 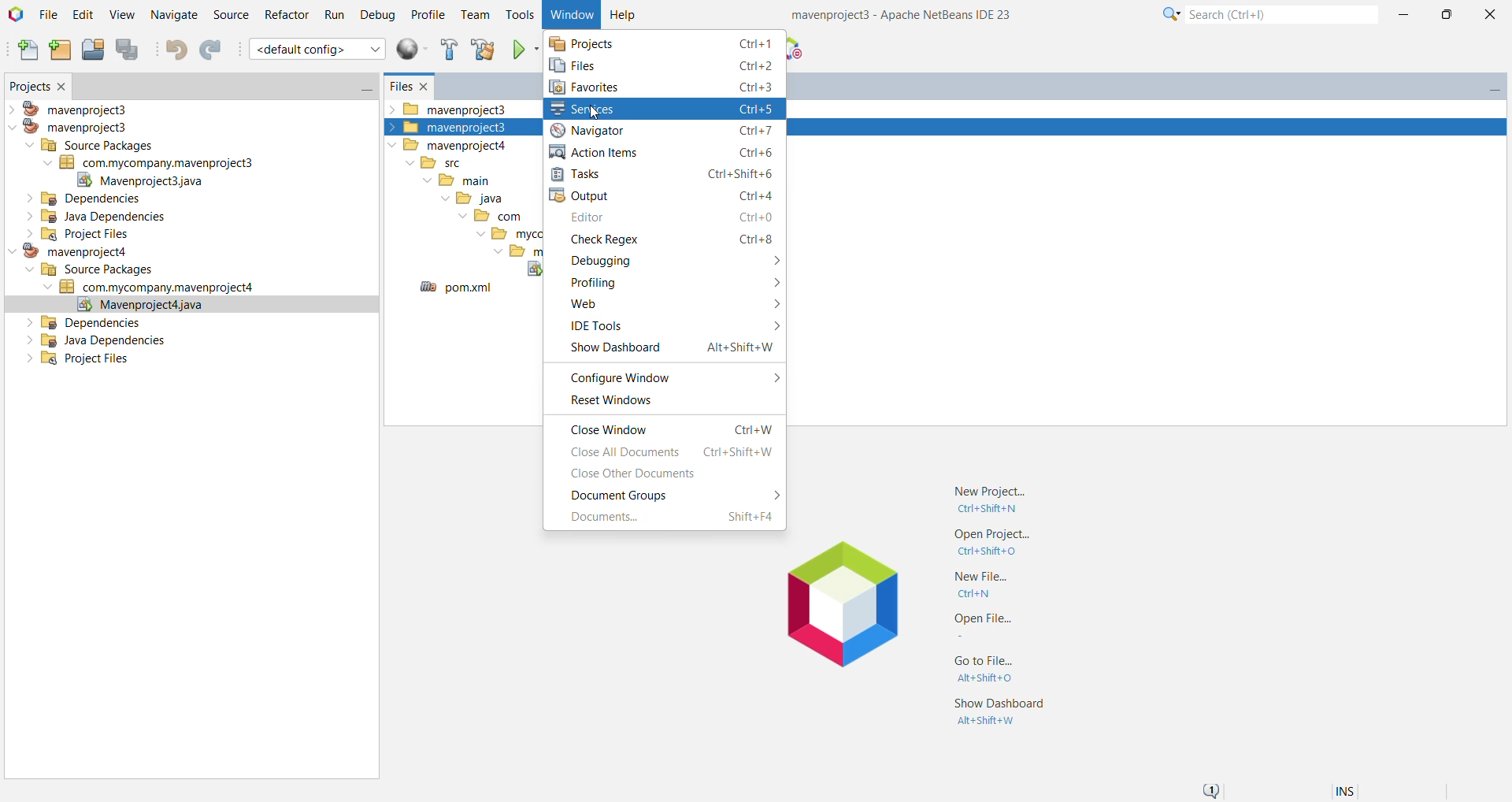 What do you see at coordinates (1167, 17) in the screenshot?
I see `Click for Category Selection` at bounding box center [1167, 17].